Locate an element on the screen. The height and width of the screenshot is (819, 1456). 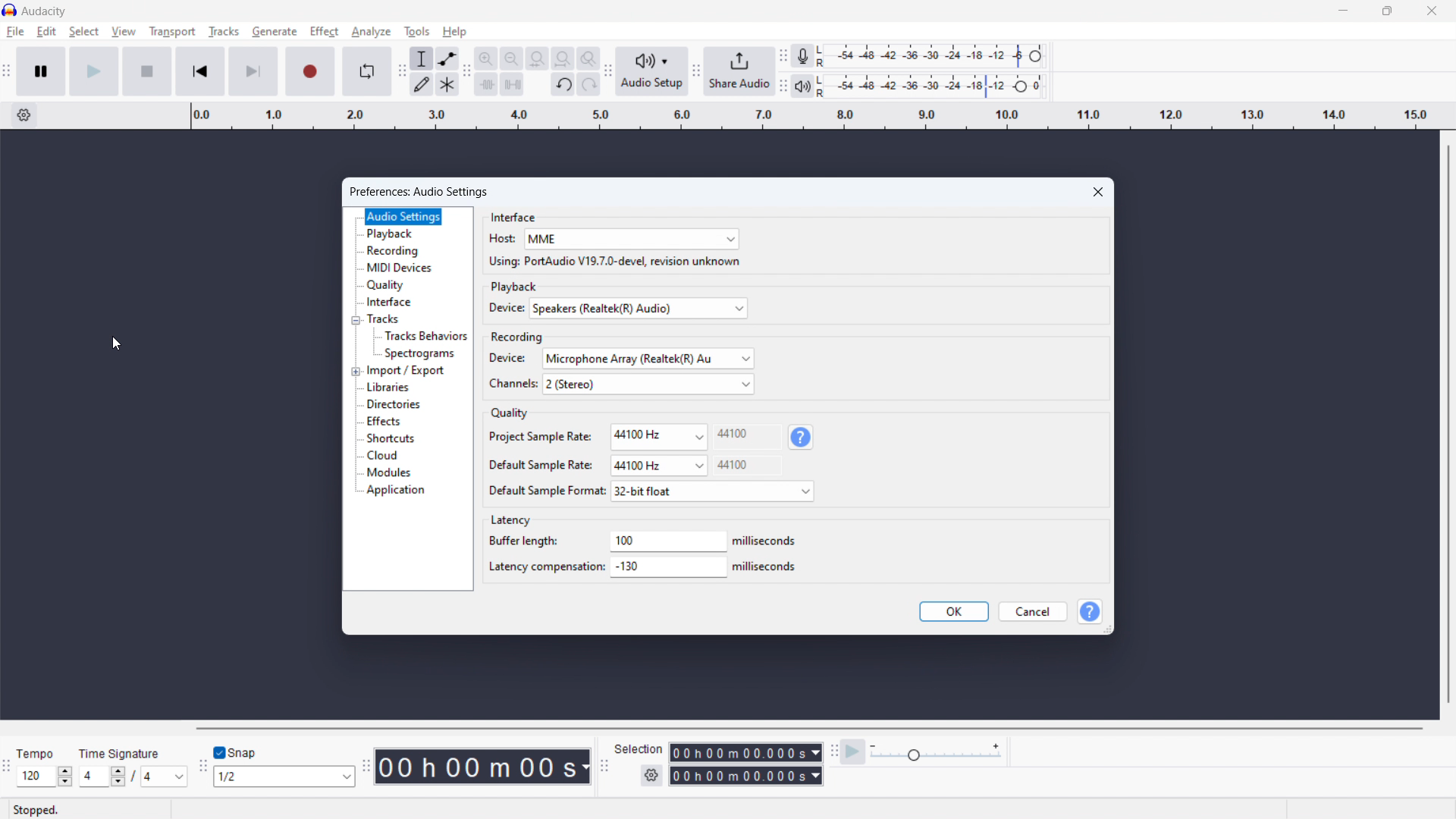
44100 is located at coordinates (736, 447).